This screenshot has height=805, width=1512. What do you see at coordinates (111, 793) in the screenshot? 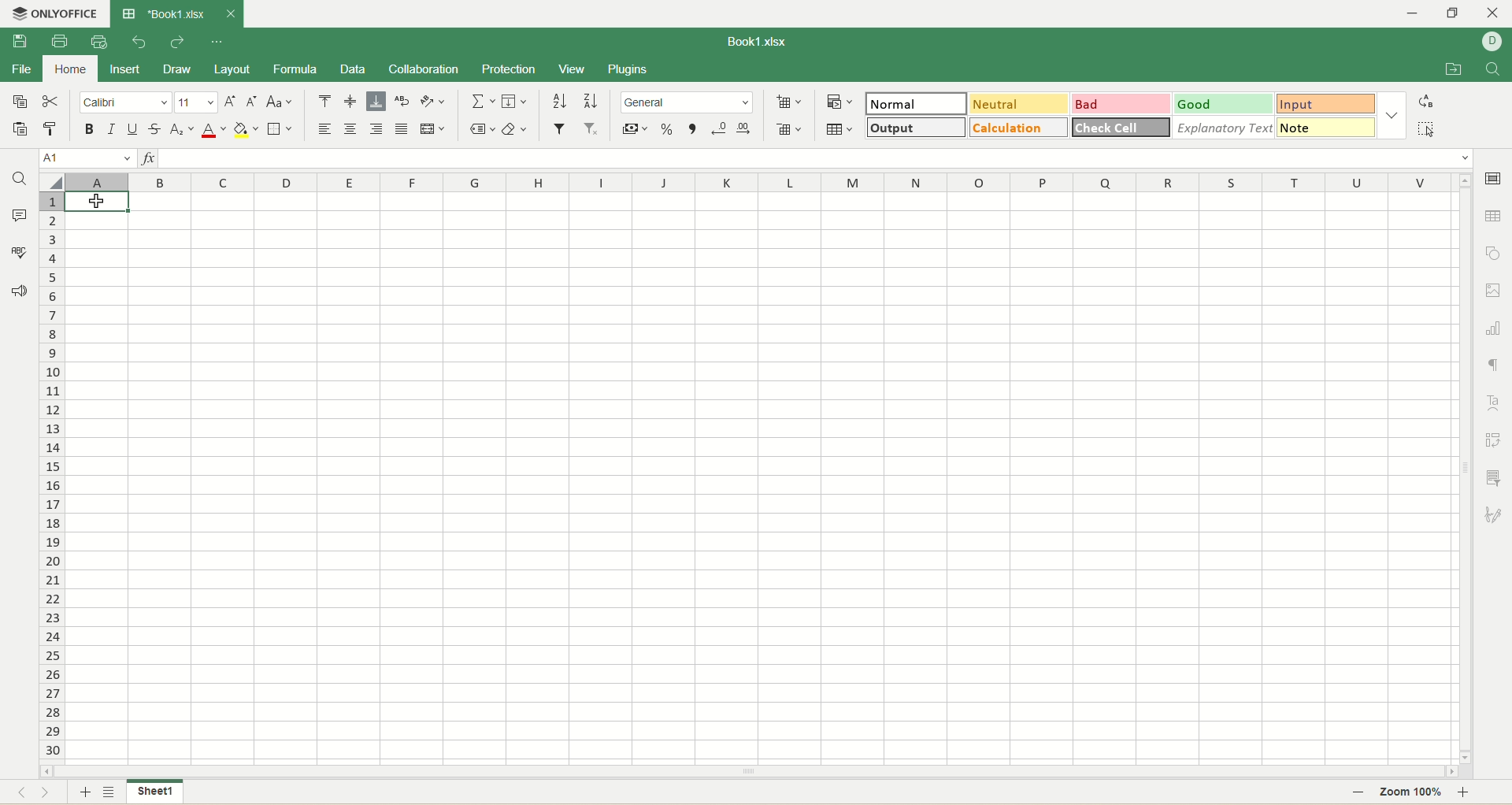
I see `sheet list` at bounding box center [111, 793].